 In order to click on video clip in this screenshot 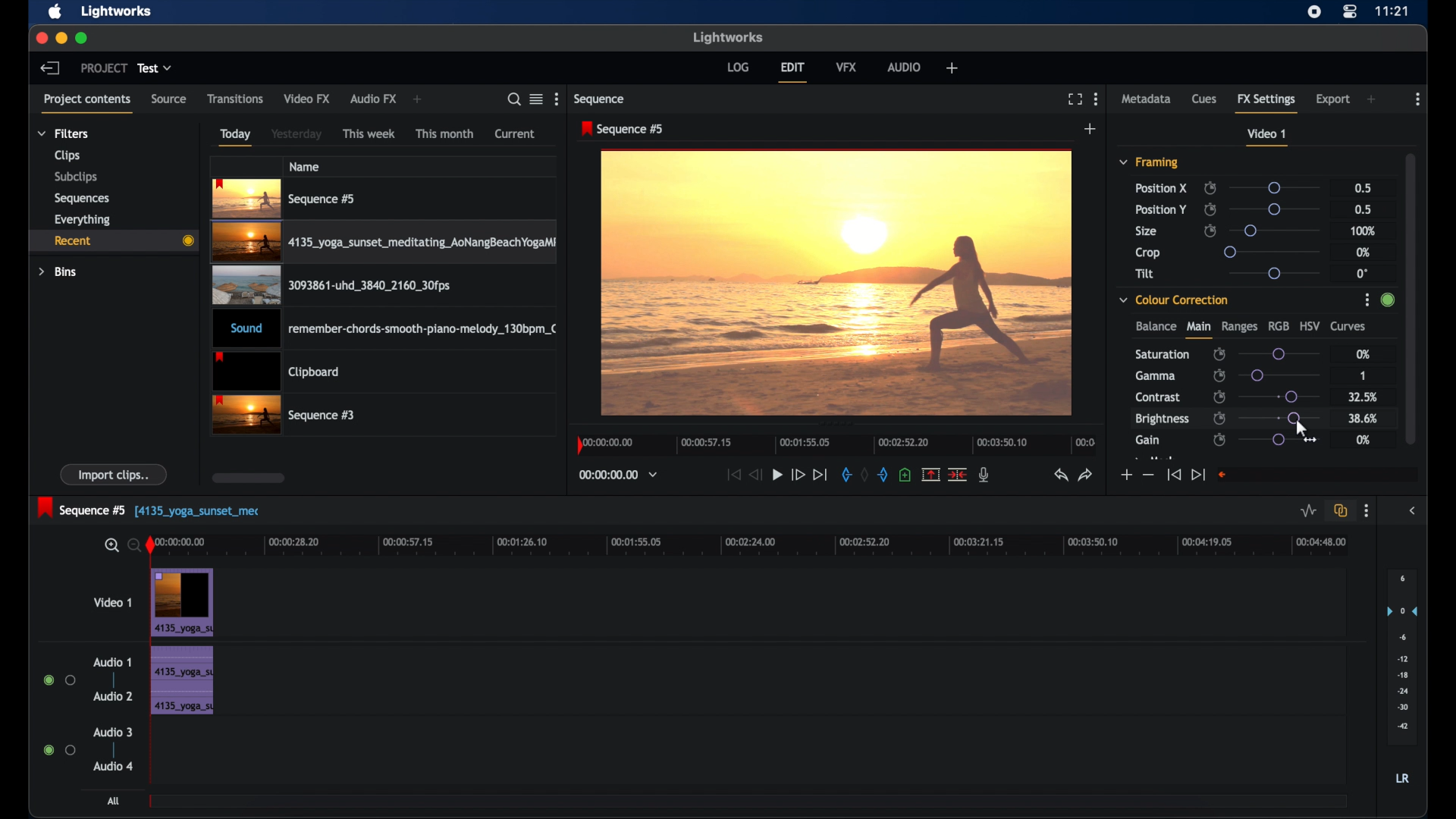, I will do `click(386, 244)`.